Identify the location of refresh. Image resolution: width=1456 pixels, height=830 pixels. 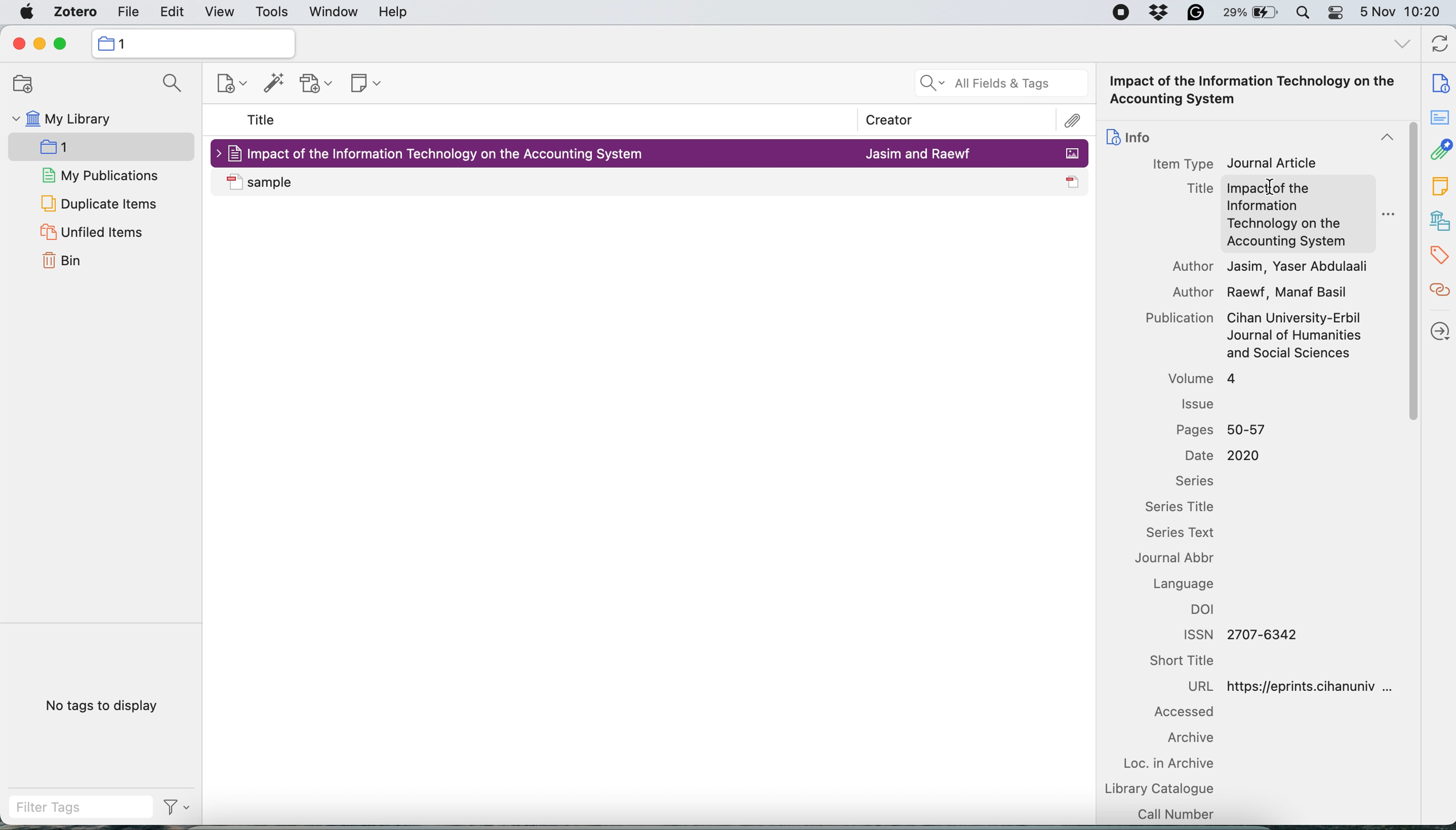
(1439, 46).